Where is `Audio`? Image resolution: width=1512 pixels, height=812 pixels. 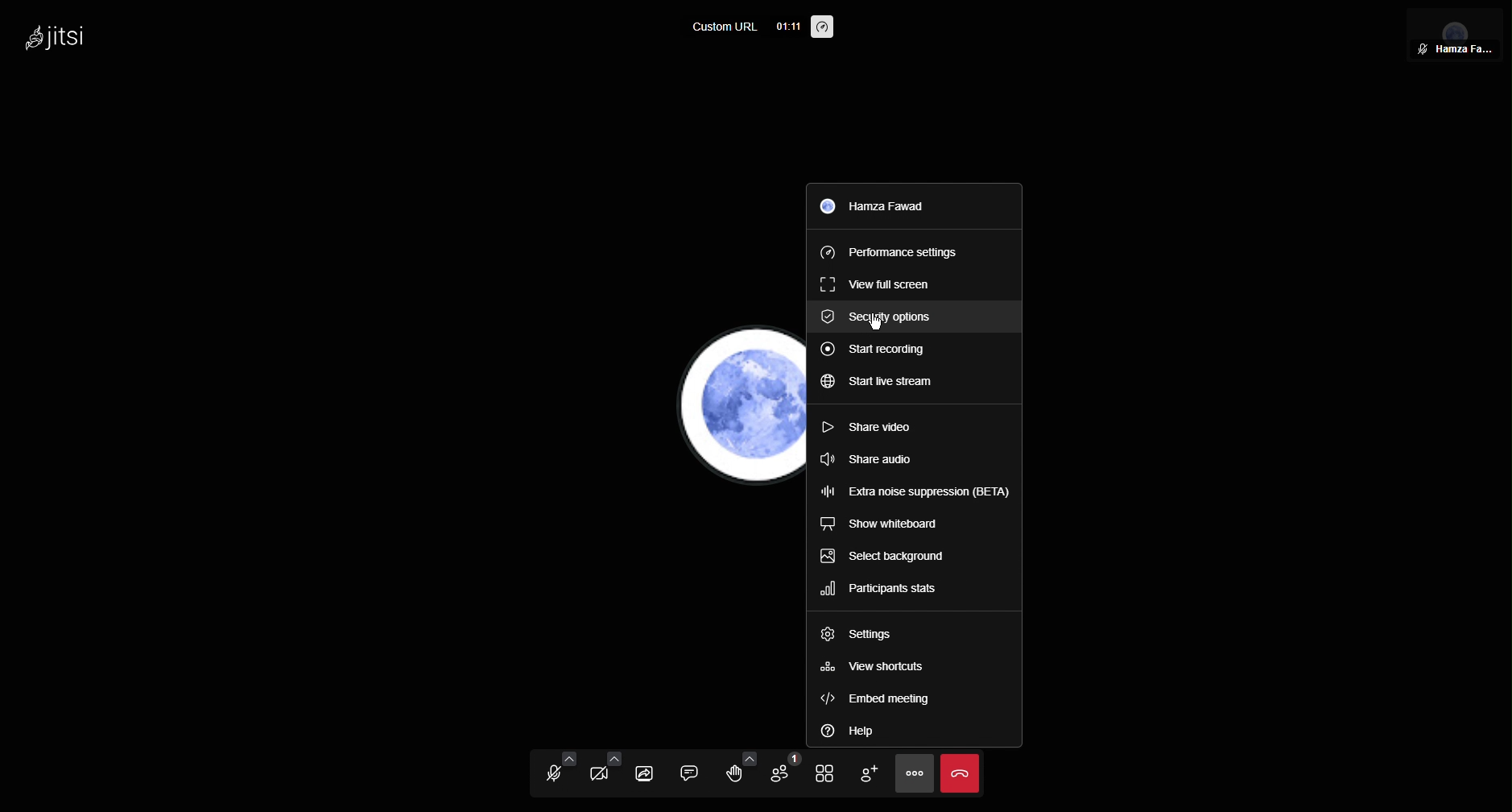 Audio is located at coordinates (553, 773).